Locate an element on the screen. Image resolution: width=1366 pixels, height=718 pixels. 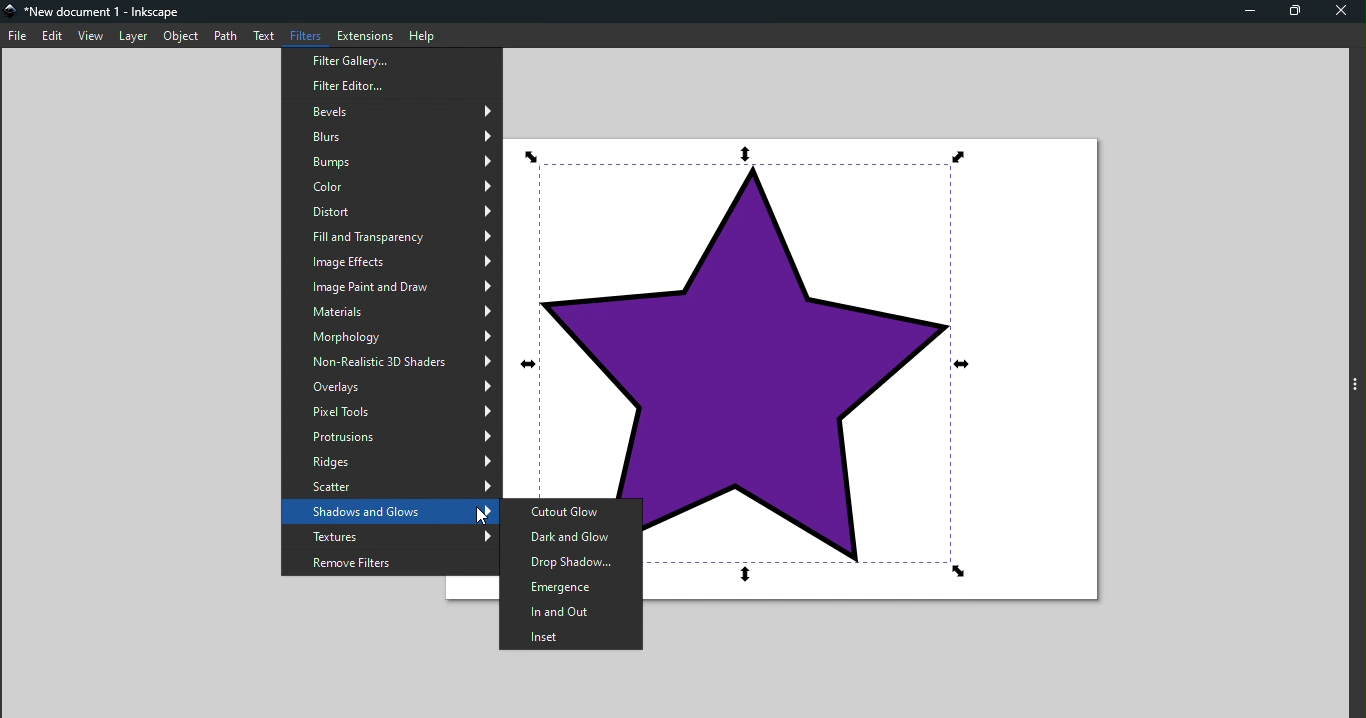
Scatter is located at coordinates (389, 486).